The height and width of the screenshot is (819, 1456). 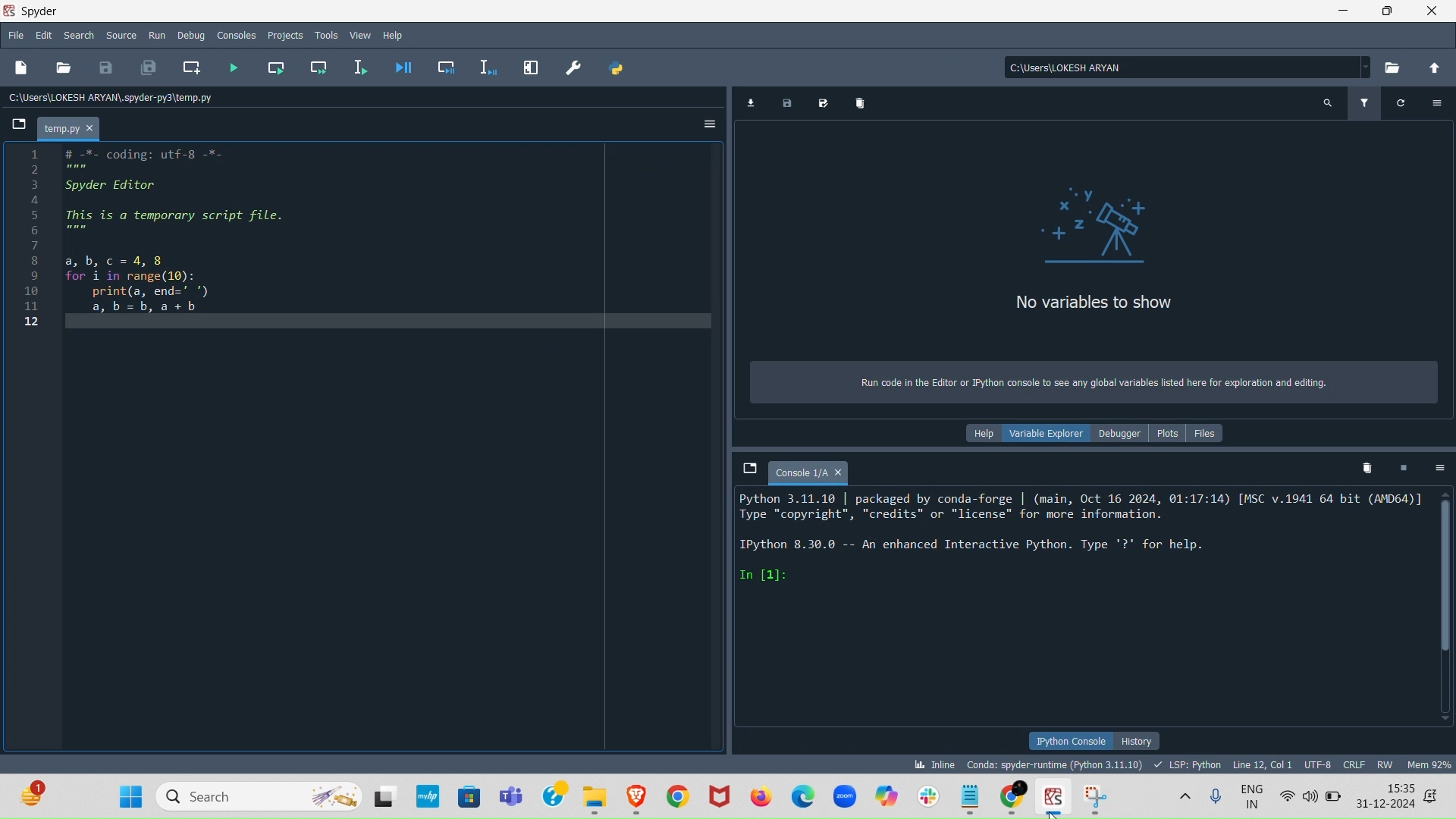 I want to click on Cursor, so click(x=1055, y=811).